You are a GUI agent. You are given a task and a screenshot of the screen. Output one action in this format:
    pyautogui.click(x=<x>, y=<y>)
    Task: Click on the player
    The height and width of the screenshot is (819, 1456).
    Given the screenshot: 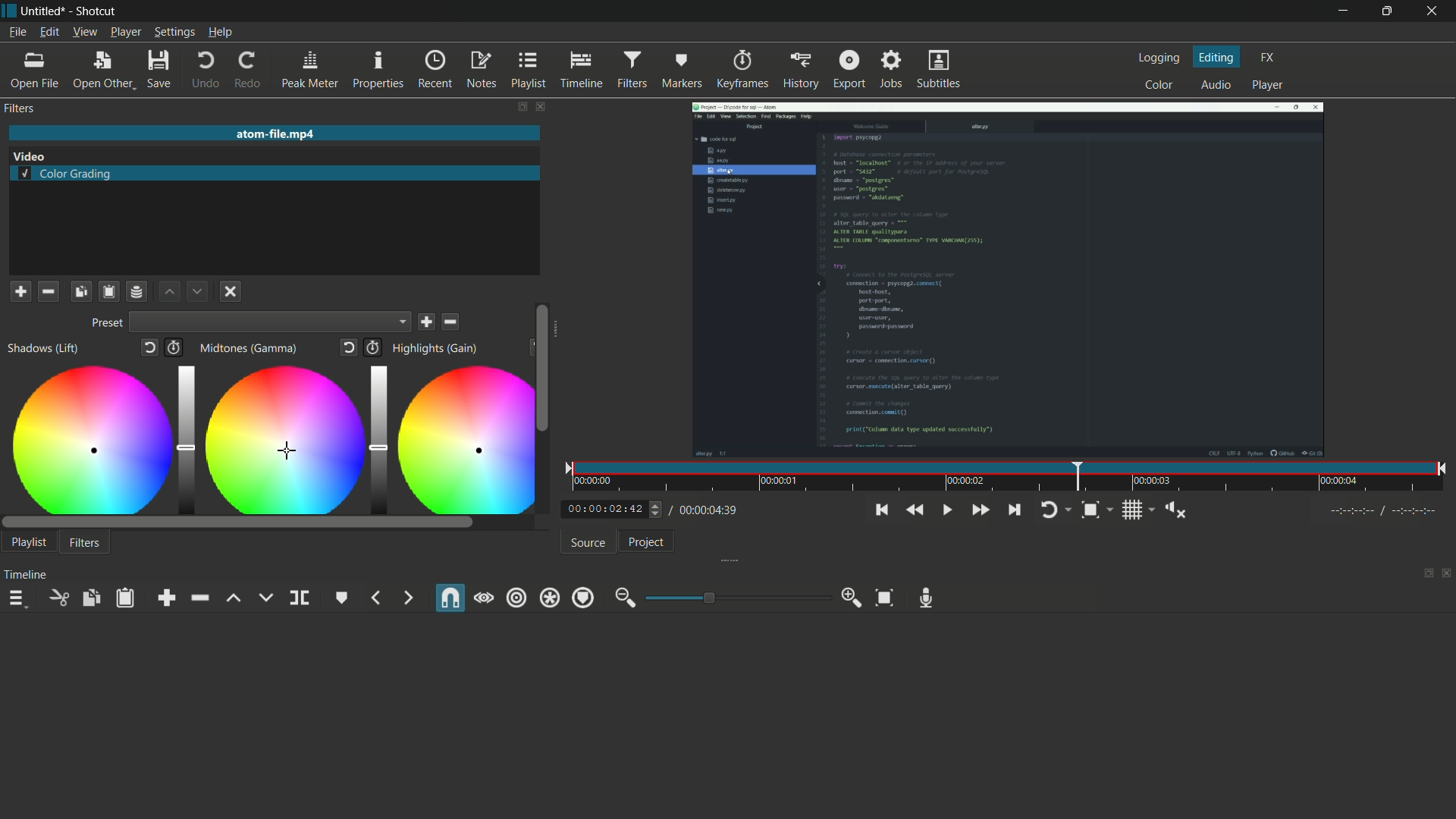 What is the action you would take?
    pyautogui.click(x=1268, y=86)
    